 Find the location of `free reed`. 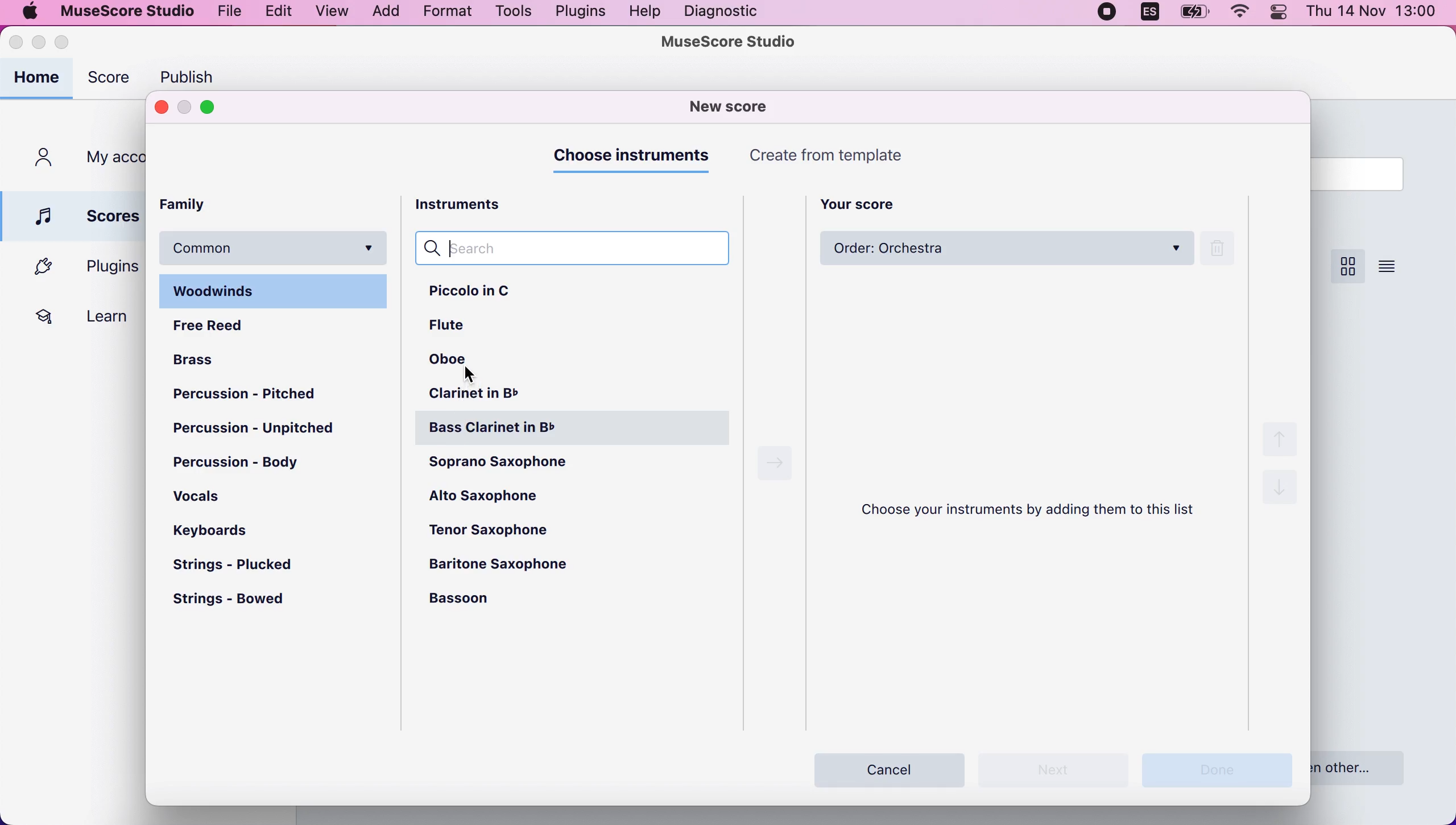

free reed is located at coordinates (217, 324).